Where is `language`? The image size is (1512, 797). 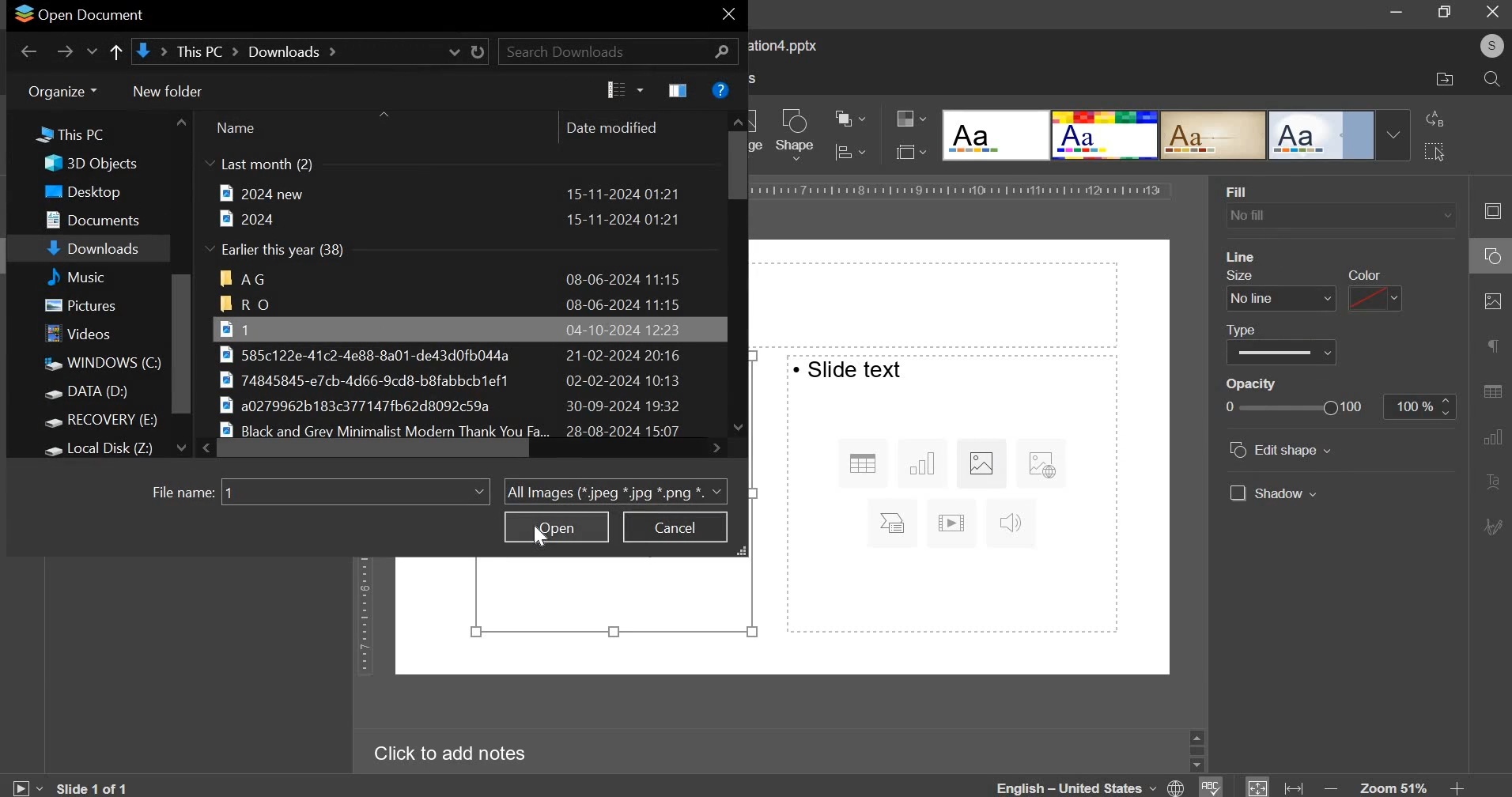
language is located at coordinates (1093, 786).